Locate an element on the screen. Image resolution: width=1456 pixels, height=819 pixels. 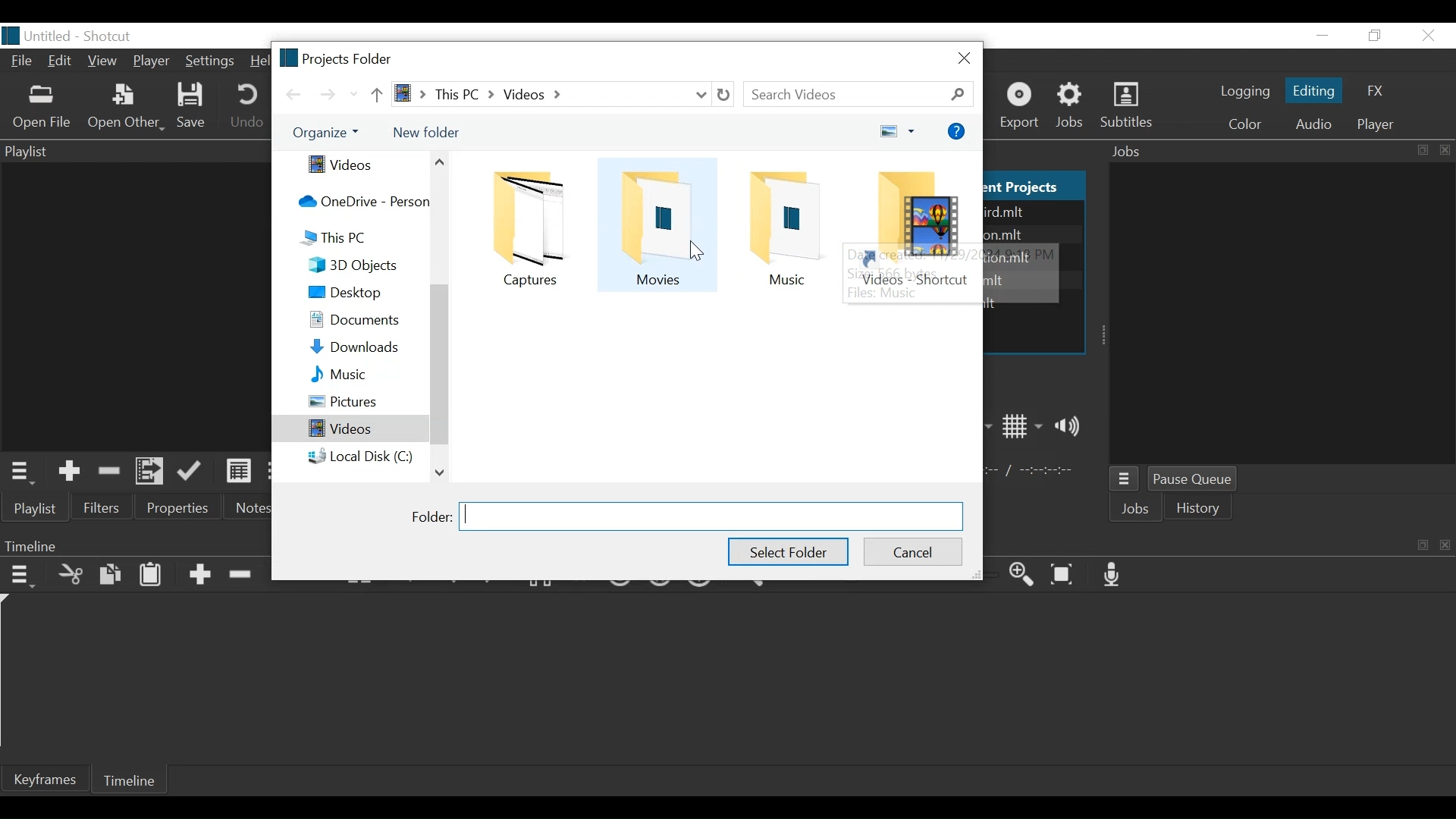
Settings is located at coordinates (208, 63).